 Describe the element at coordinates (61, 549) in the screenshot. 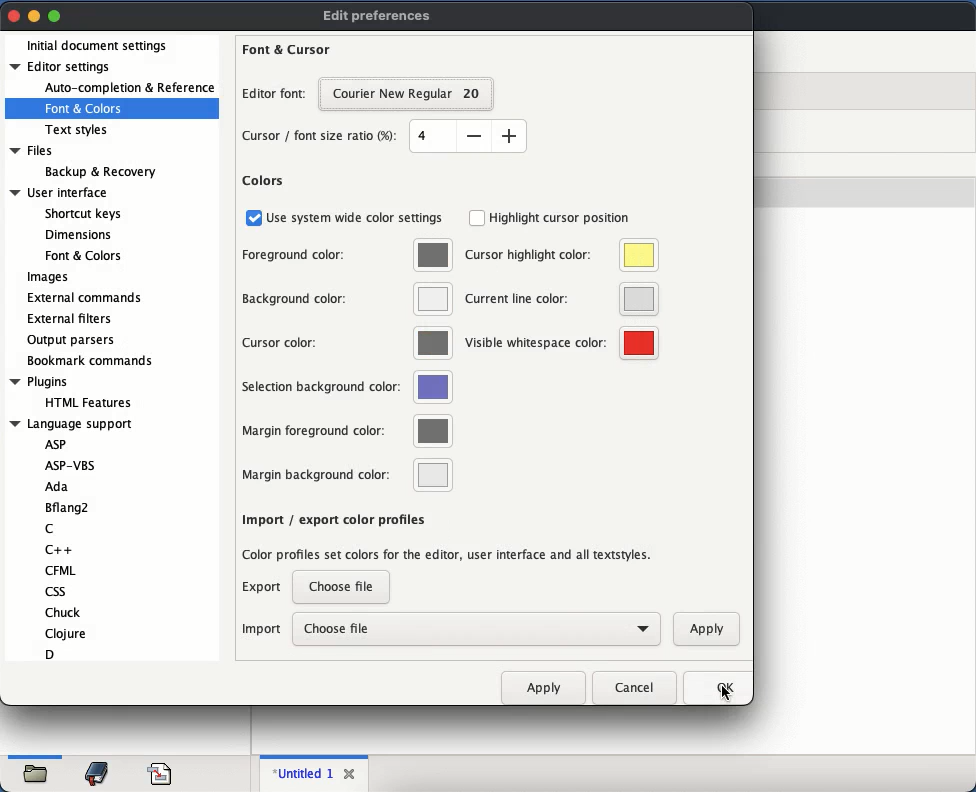

I see `C++` at that location.